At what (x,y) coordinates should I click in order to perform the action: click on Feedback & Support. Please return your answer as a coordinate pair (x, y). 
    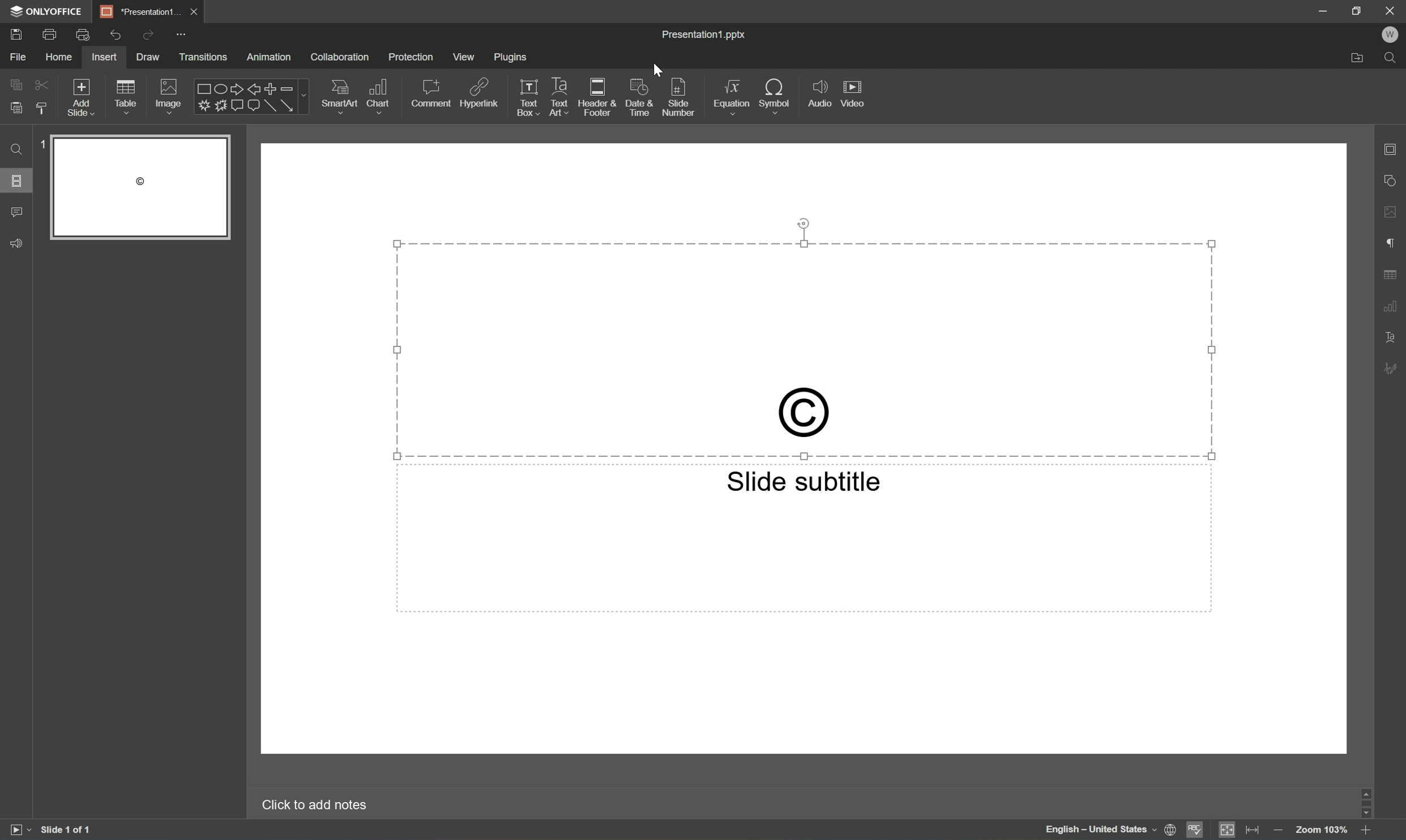
    Looking at the image, I should click on (14, 244).